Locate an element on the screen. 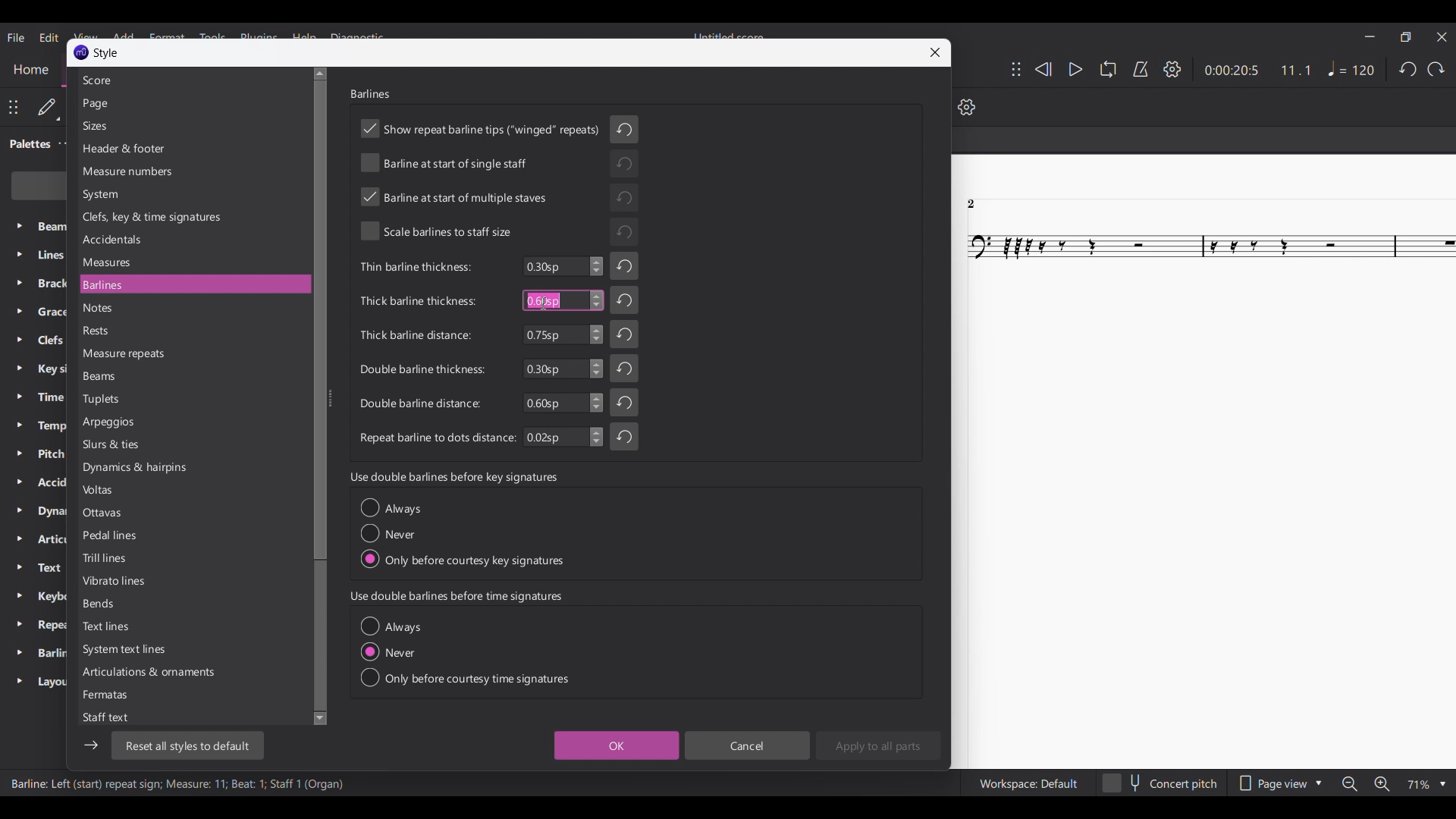 This screenshot has height=819, width=1456. Metronome is located at coordinates (1141, 69).